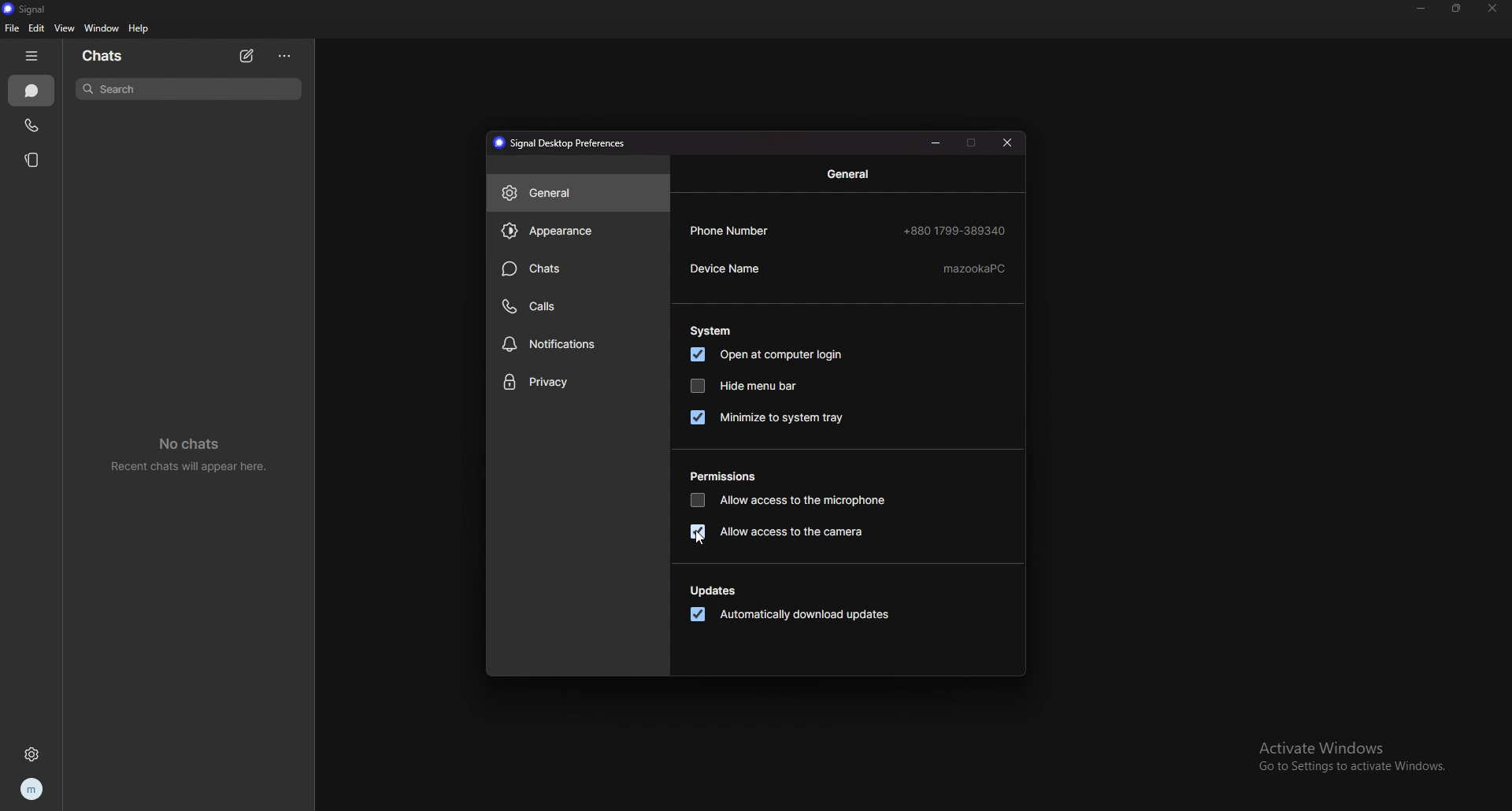 This screenshot has width=1512, height=811. I want to click on maximize, so click(972, 143).